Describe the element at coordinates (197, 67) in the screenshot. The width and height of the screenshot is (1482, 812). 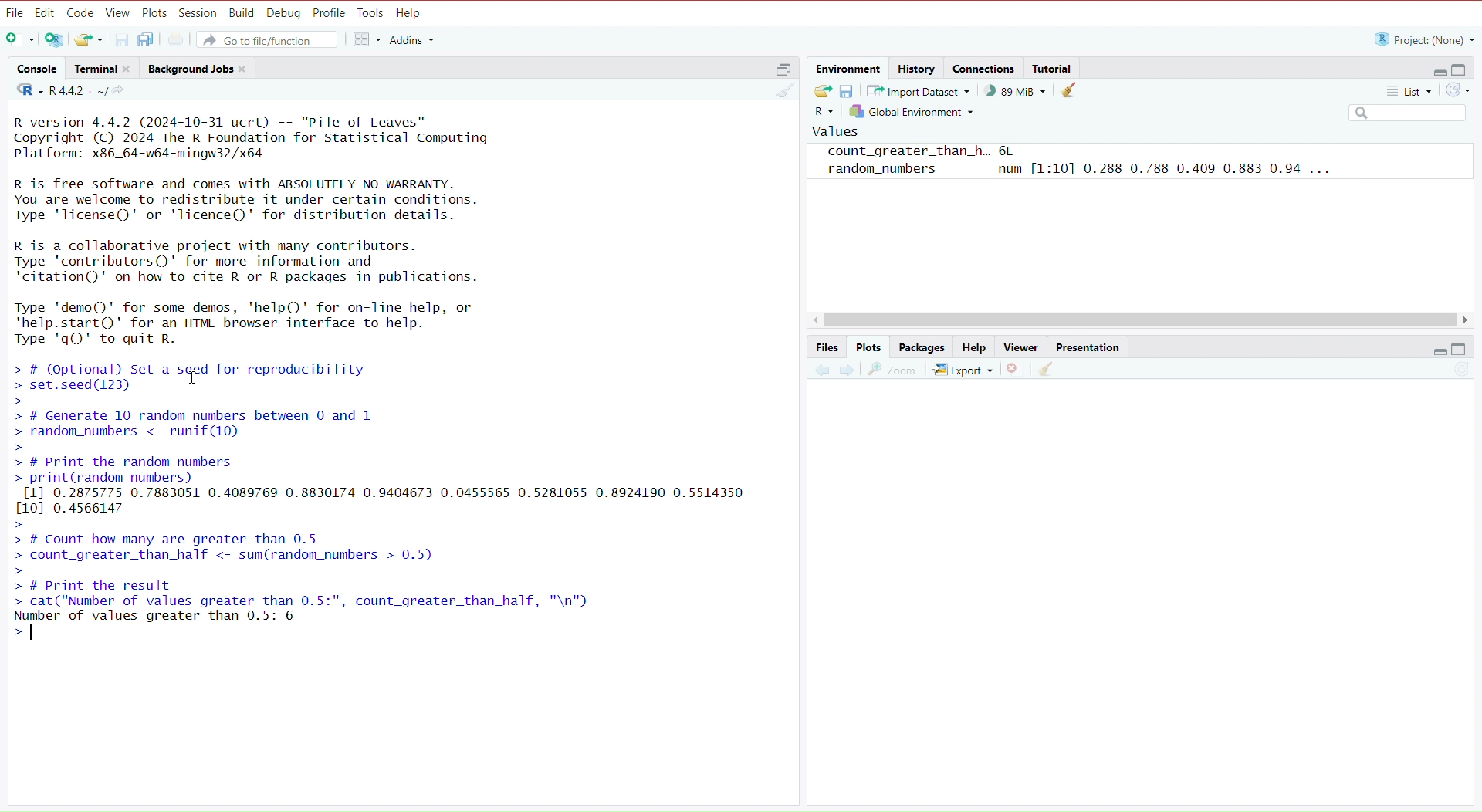
I see `Background Jobs` at that location.